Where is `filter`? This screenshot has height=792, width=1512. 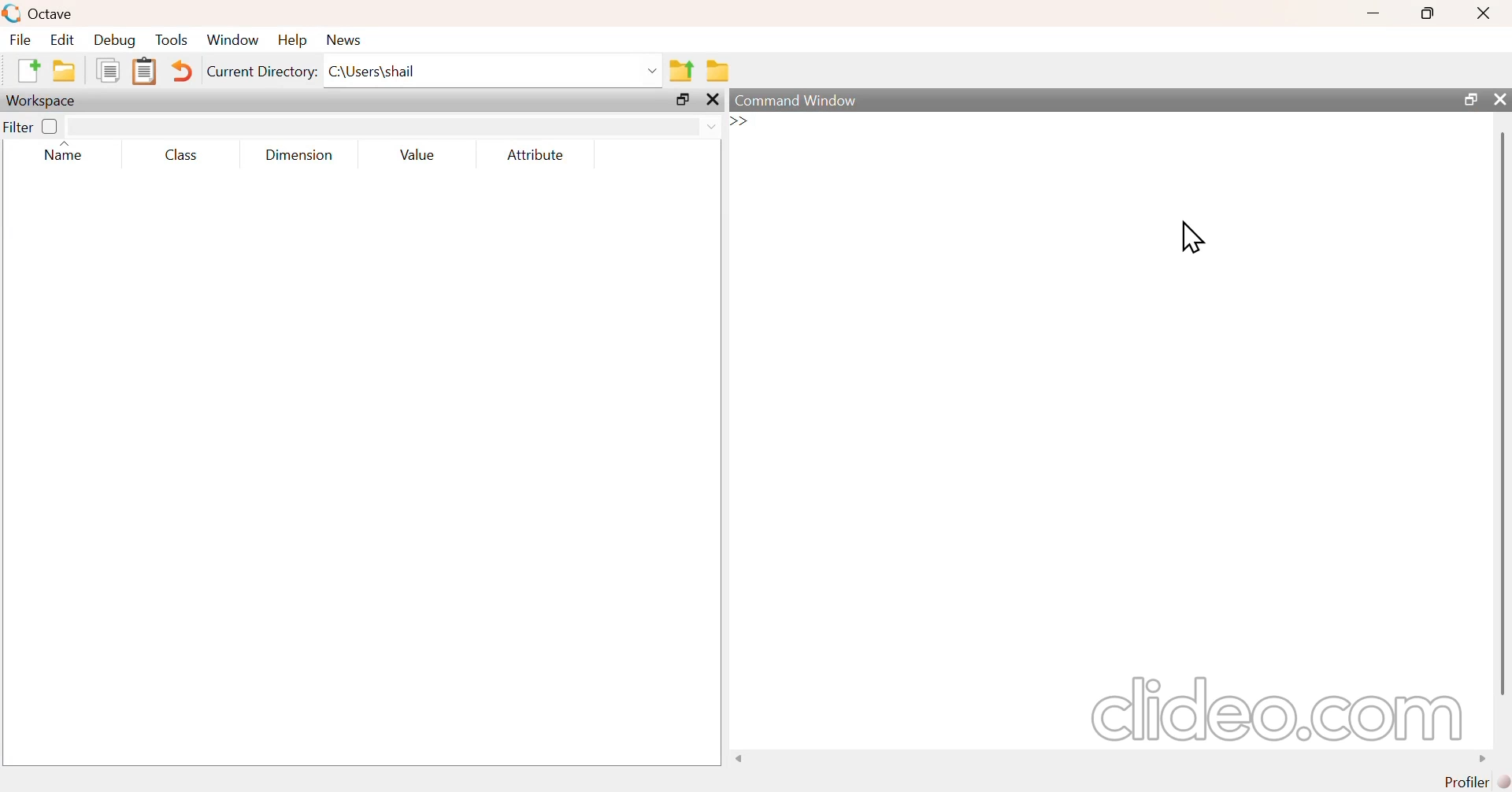
filter is located at coordinates (32, 126).